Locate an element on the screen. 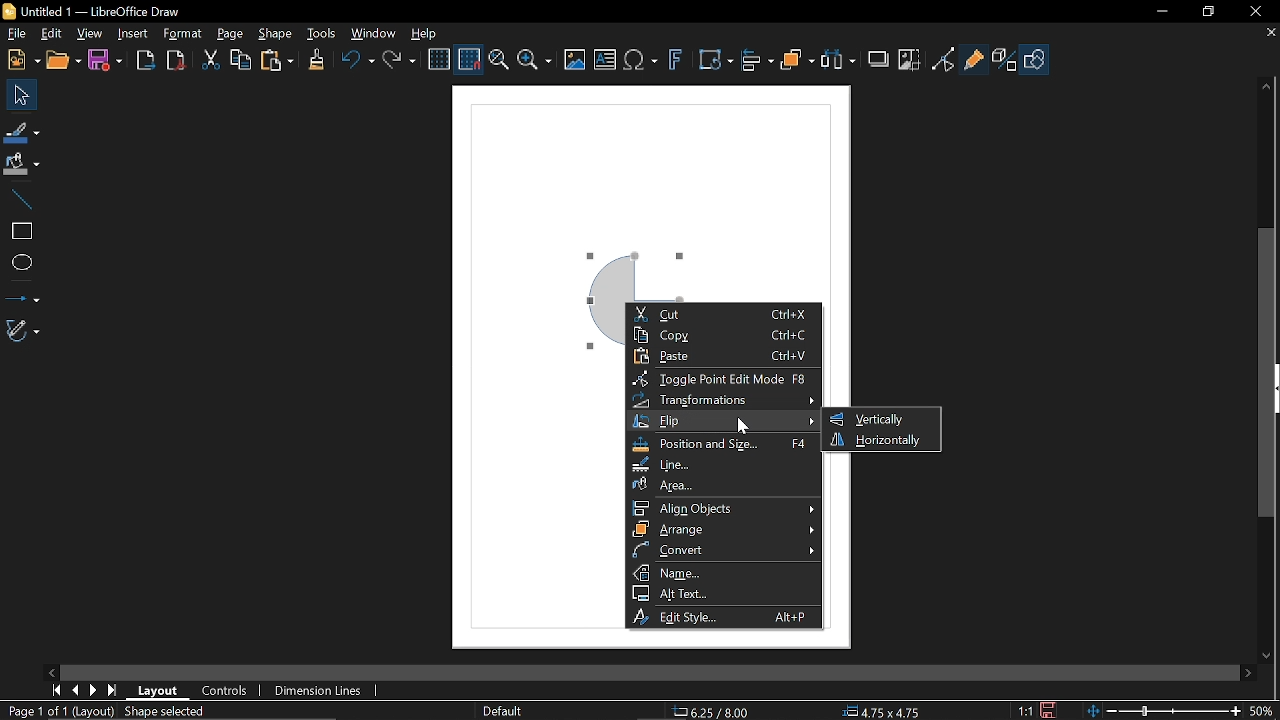 The height and width of the screenshot is (720, 1280). Window is located at coordinates (374, 35).